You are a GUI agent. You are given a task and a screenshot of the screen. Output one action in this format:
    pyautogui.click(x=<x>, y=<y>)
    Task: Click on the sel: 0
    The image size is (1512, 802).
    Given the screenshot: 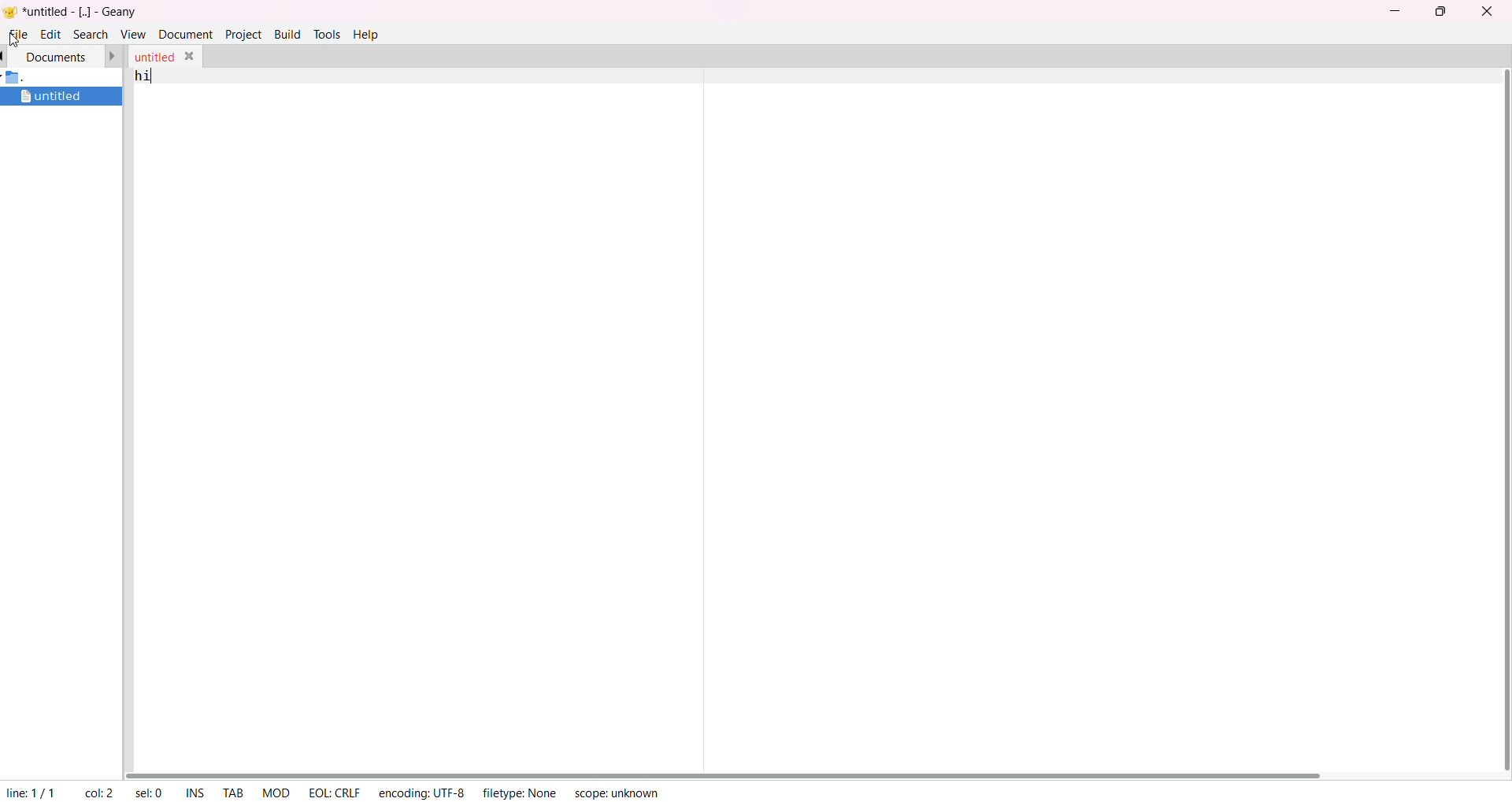 What is the action you would take?
    pyautogui.click(x=148, y=790)
    